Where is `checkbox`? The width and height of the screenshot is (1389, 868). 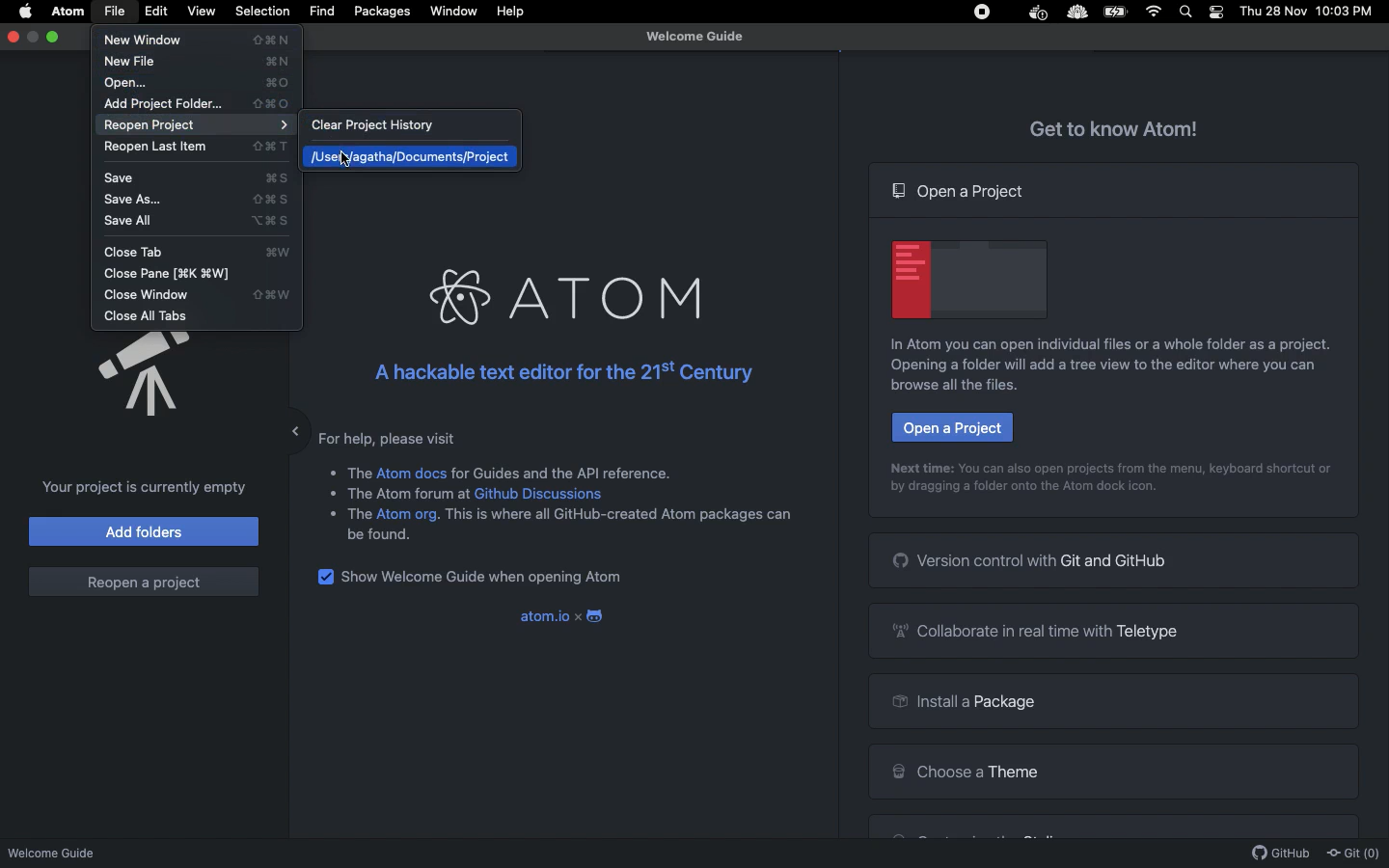 checkbox is located at coordinates (324, 578).